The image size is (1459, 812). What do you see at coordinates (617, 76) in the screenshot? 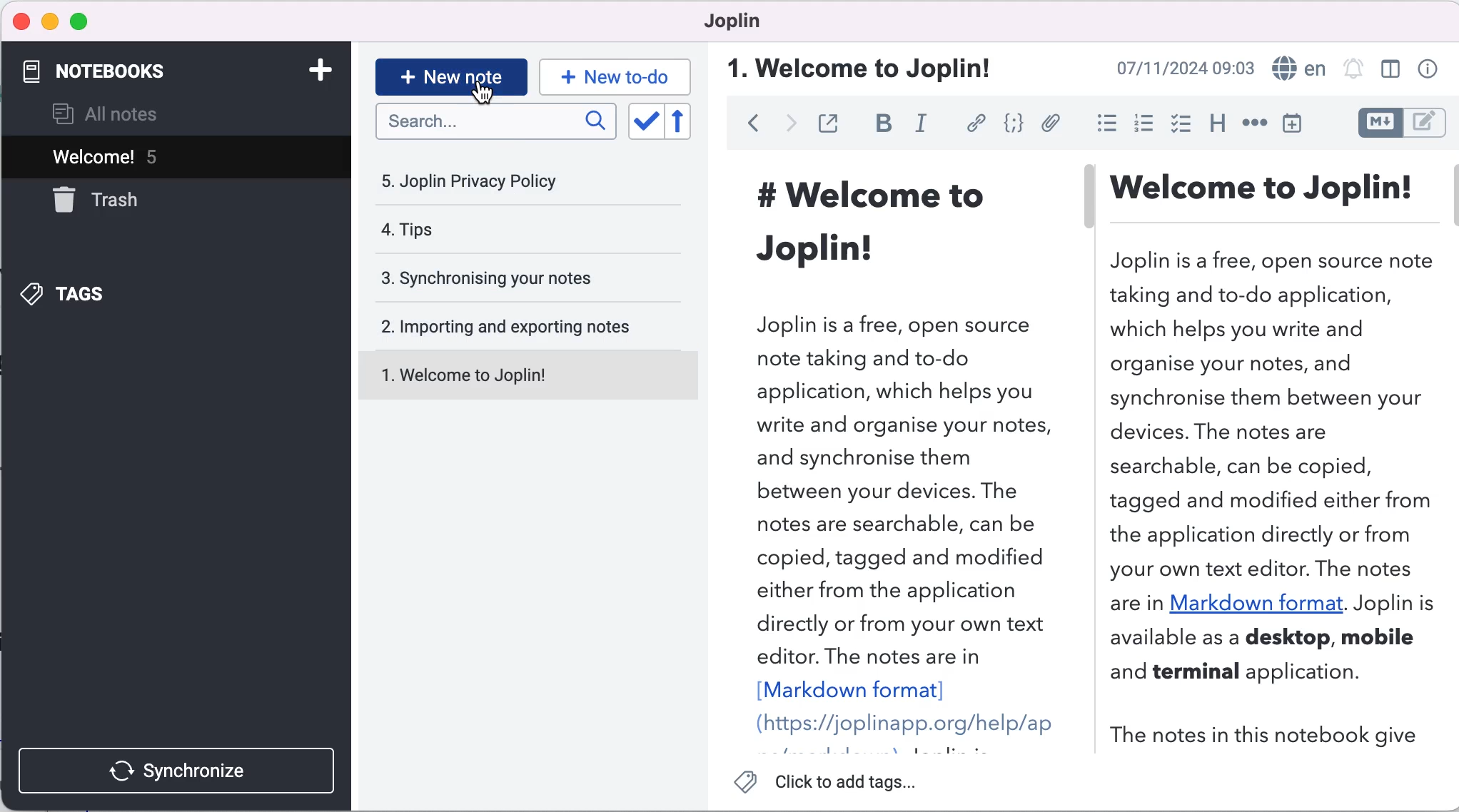
I see `new to-do` at bounding box center [617, 76].